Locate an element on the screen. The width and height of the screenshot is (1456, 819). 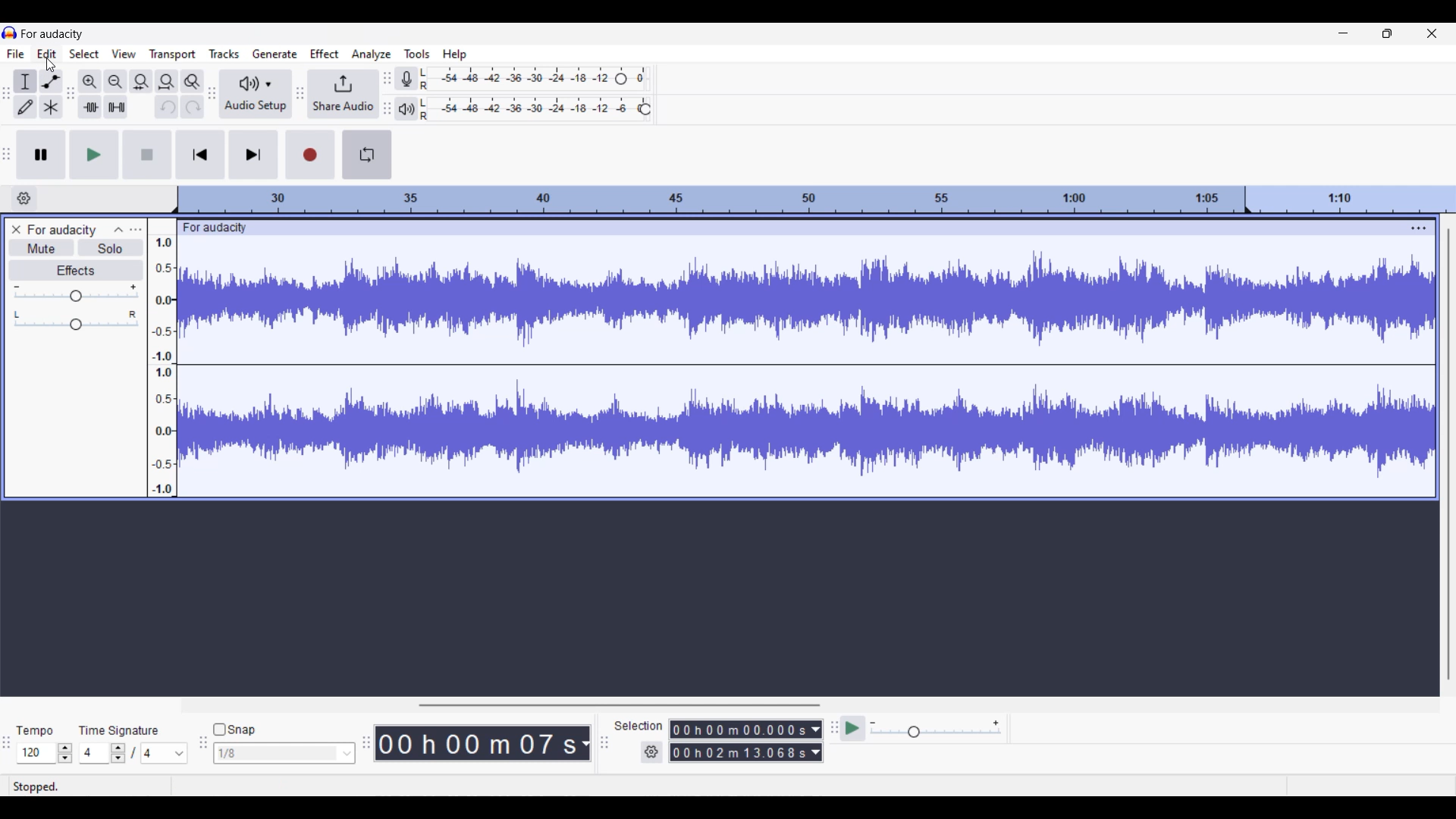
Software logo is located at coordinates (10, 33).